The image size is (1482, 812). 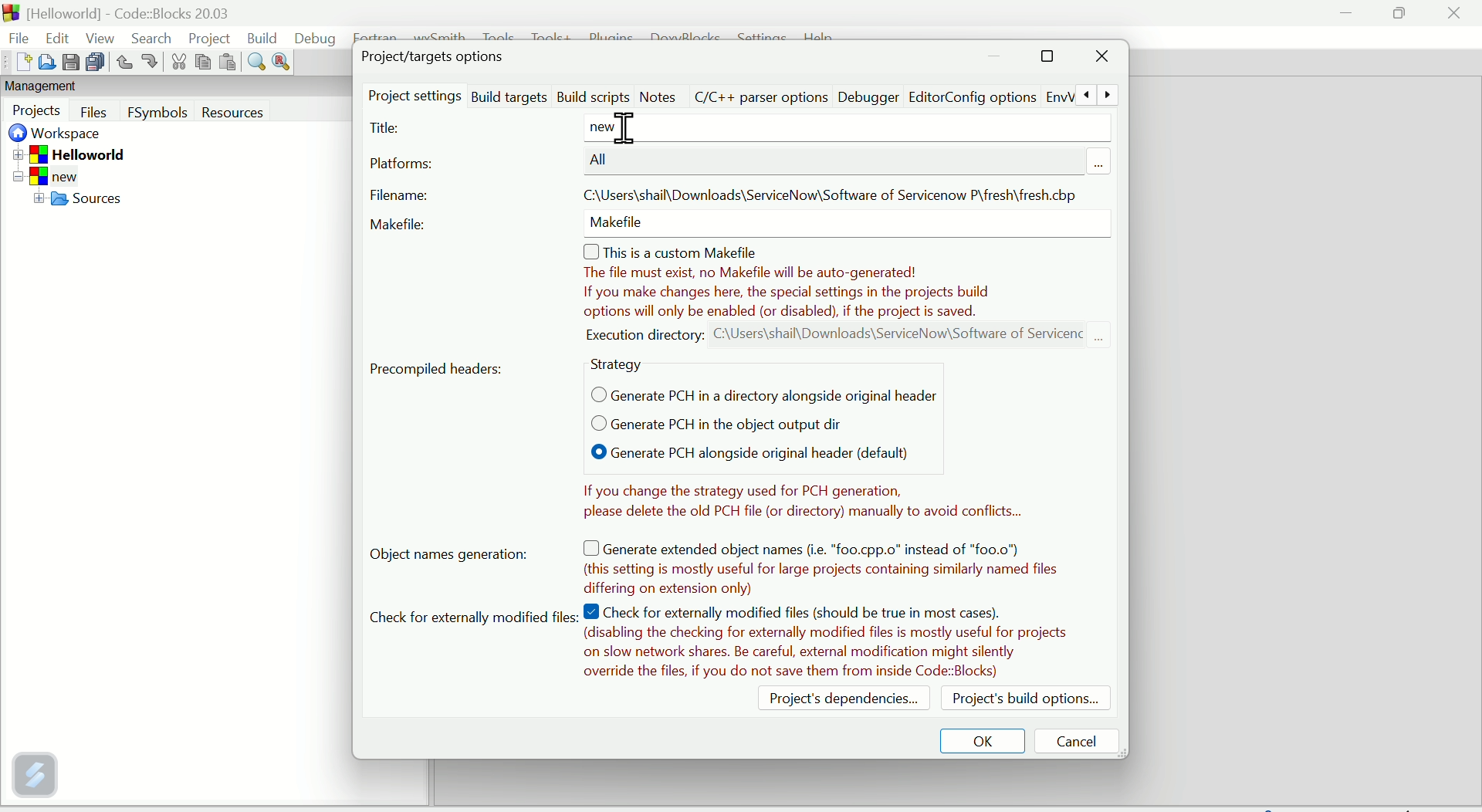 What do you see at coordinates (315, 37) in the screenshot?
I see `Debug ` at bounding box center [315, 37].